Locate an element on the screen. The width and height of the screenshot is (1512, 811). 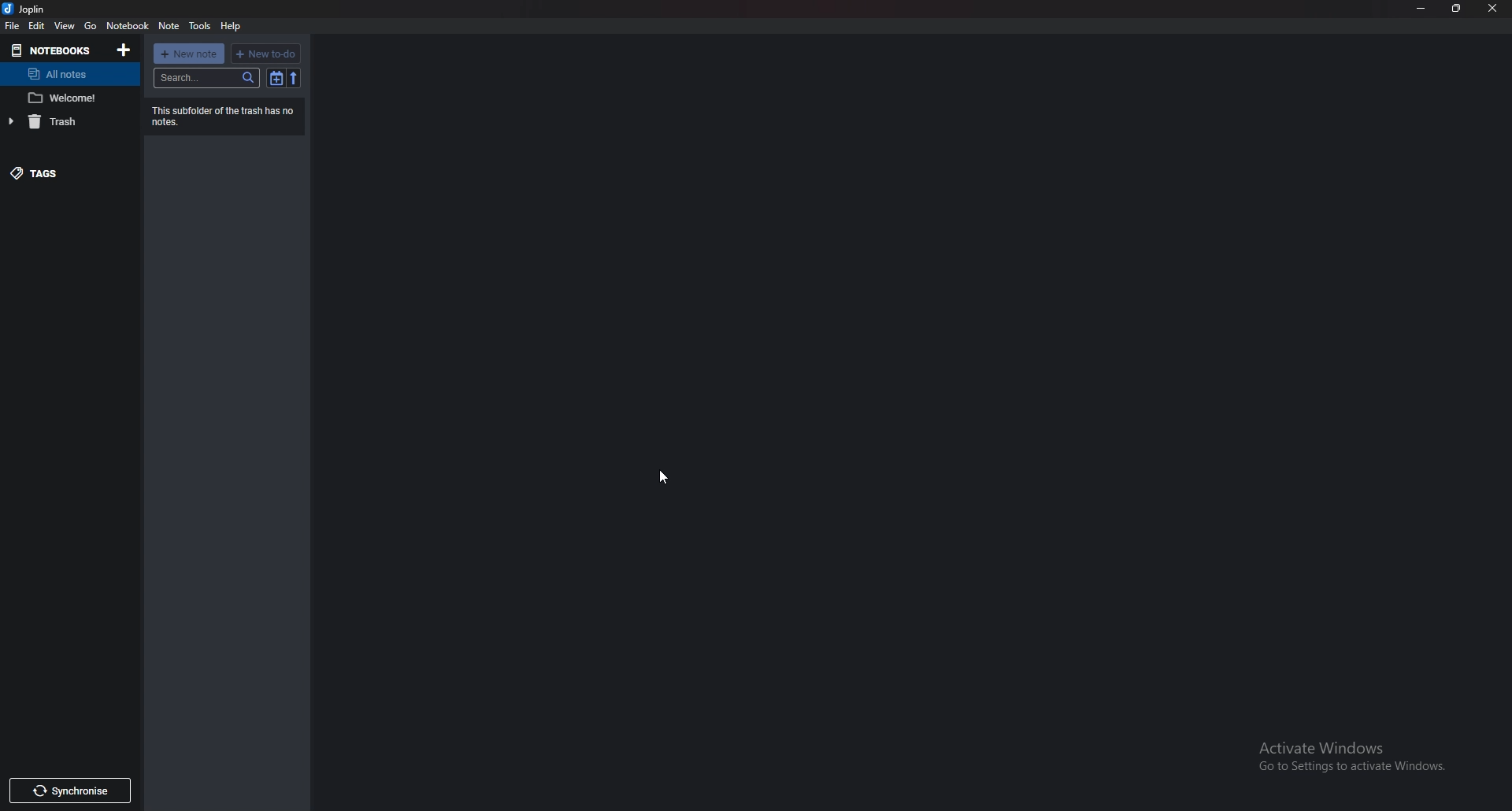
note is located at coordinates (169, 25).